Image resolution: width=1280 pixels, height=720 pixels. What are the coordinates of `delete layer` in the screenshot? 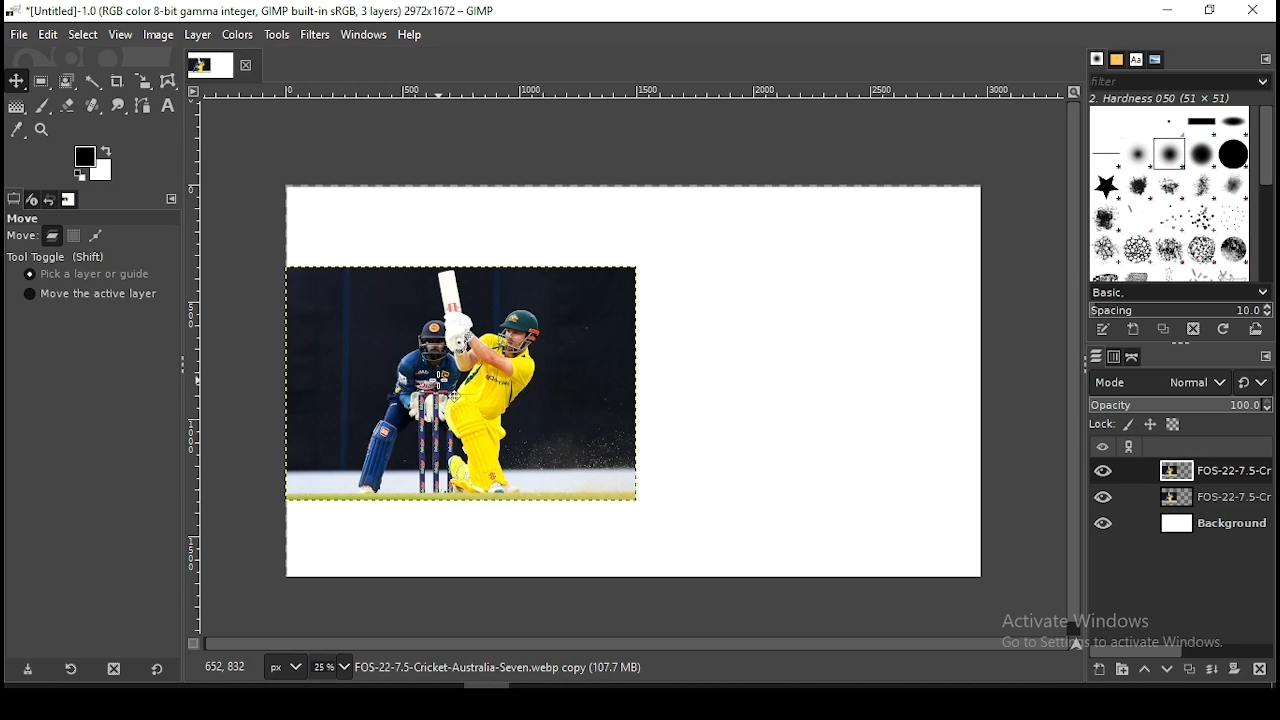 It's located at (1260, 669).